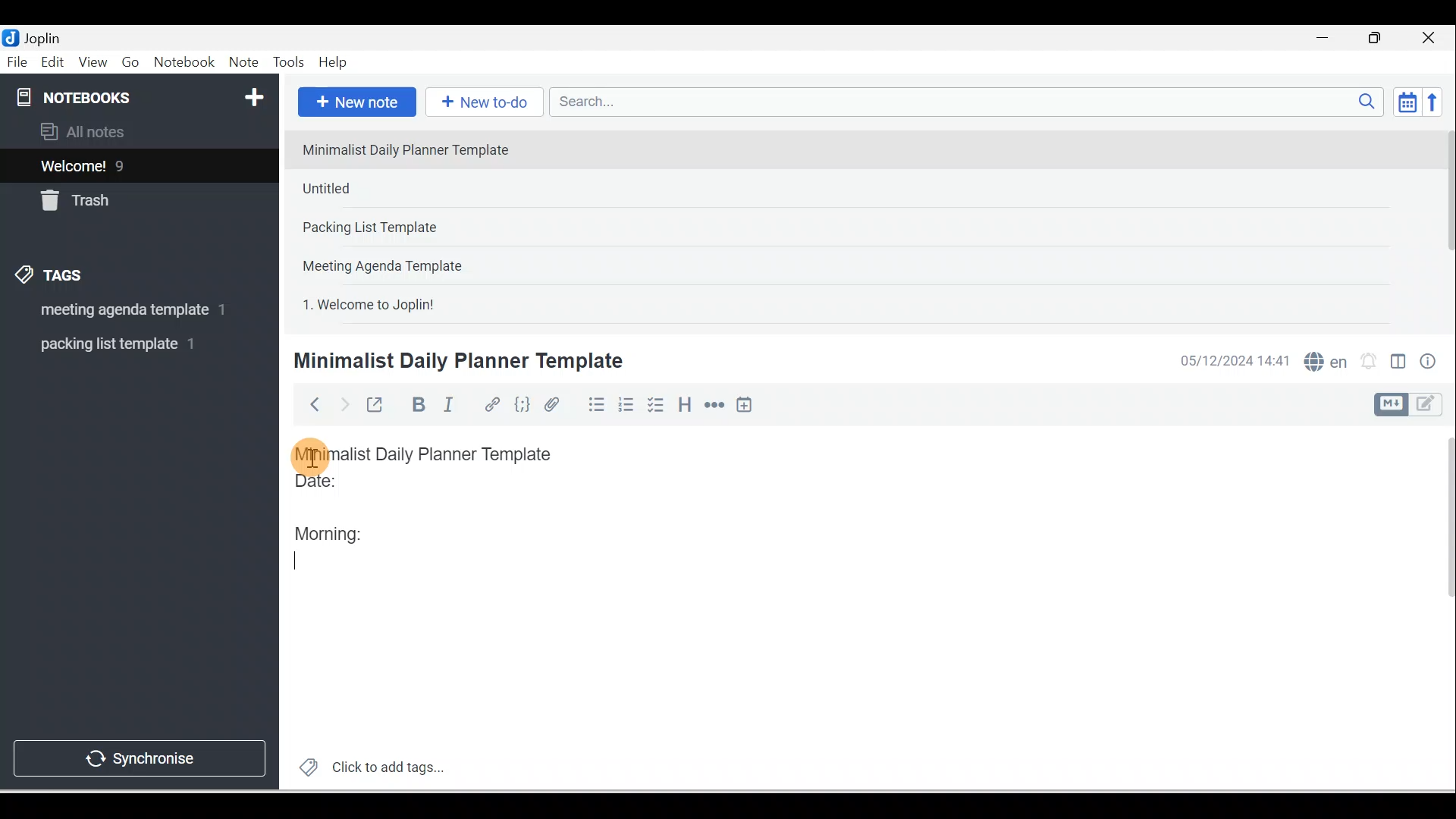  I want to click on Tools, so click(288, 62).